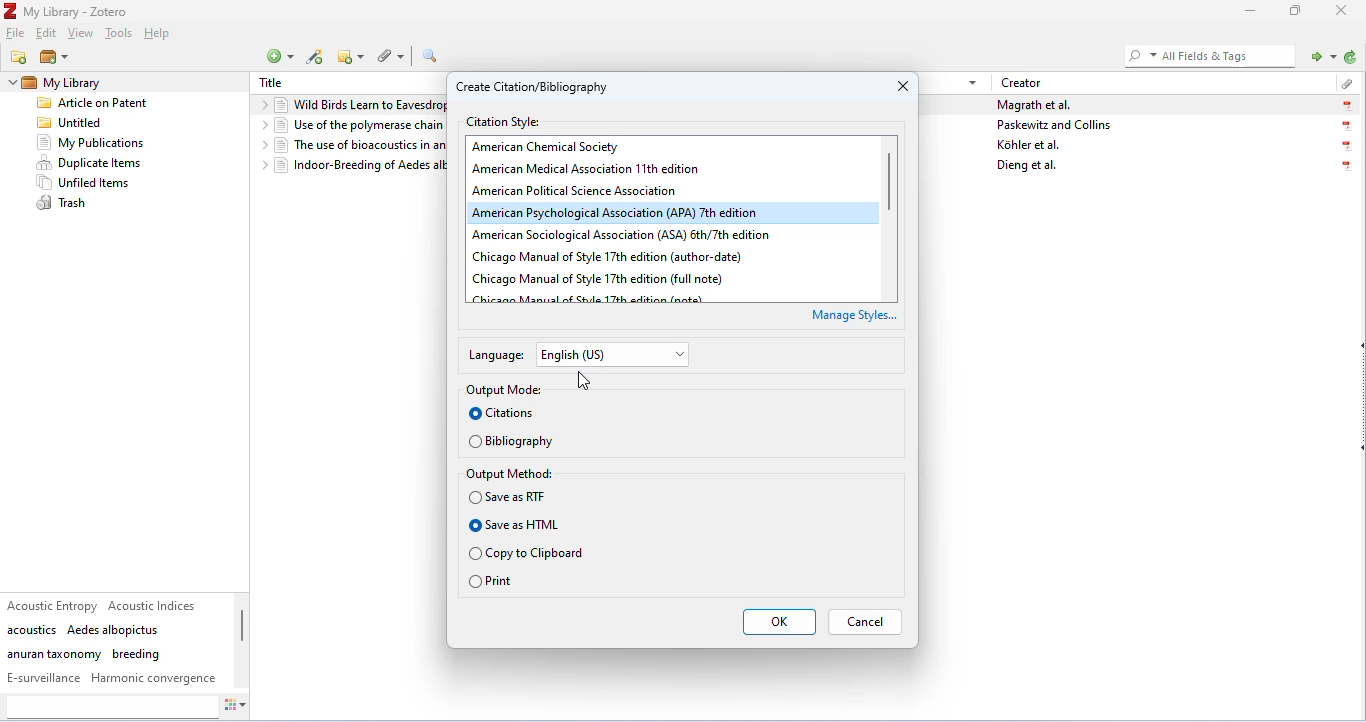 This screenshot has height=722, width=1366. I want to click on my publications, so click(92, 143).